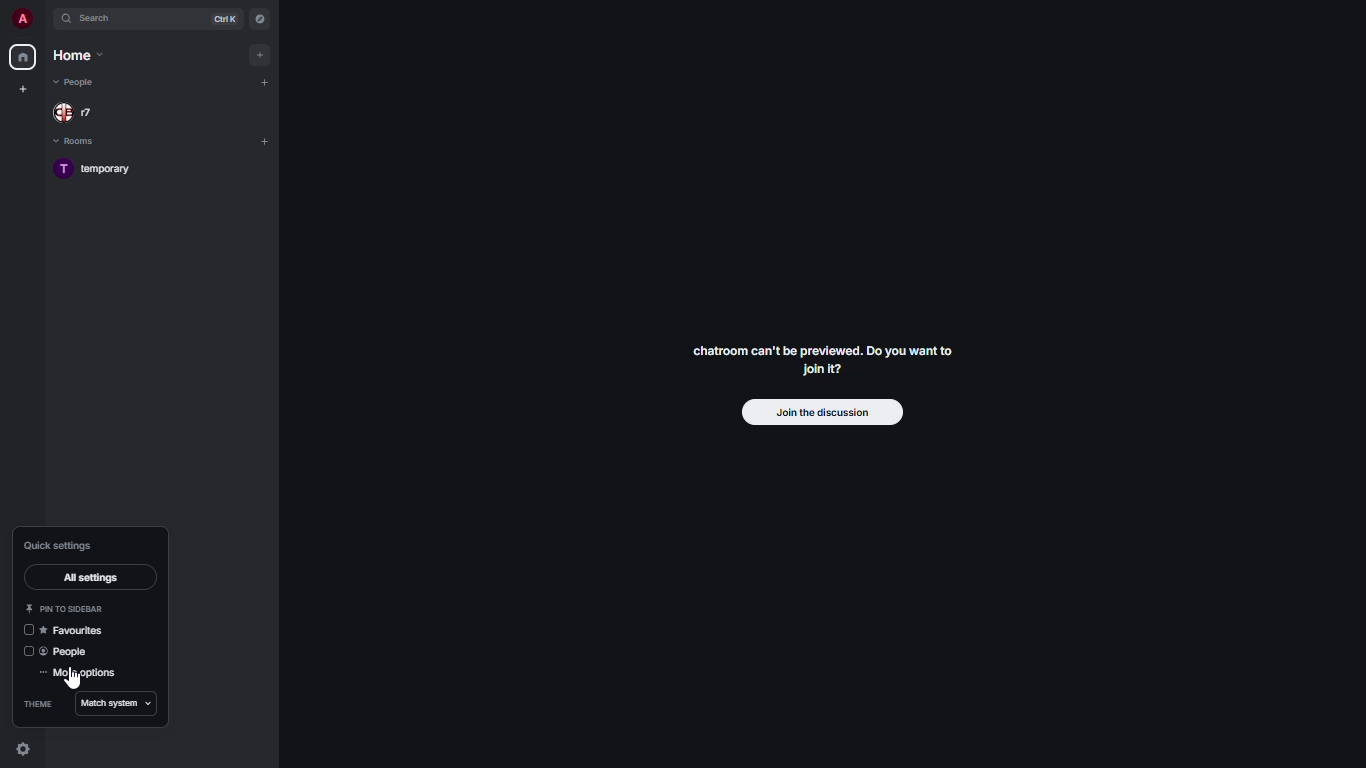  Describe the element at coordinates (28, 630) in the screenshot. I see `disabled` at that location.